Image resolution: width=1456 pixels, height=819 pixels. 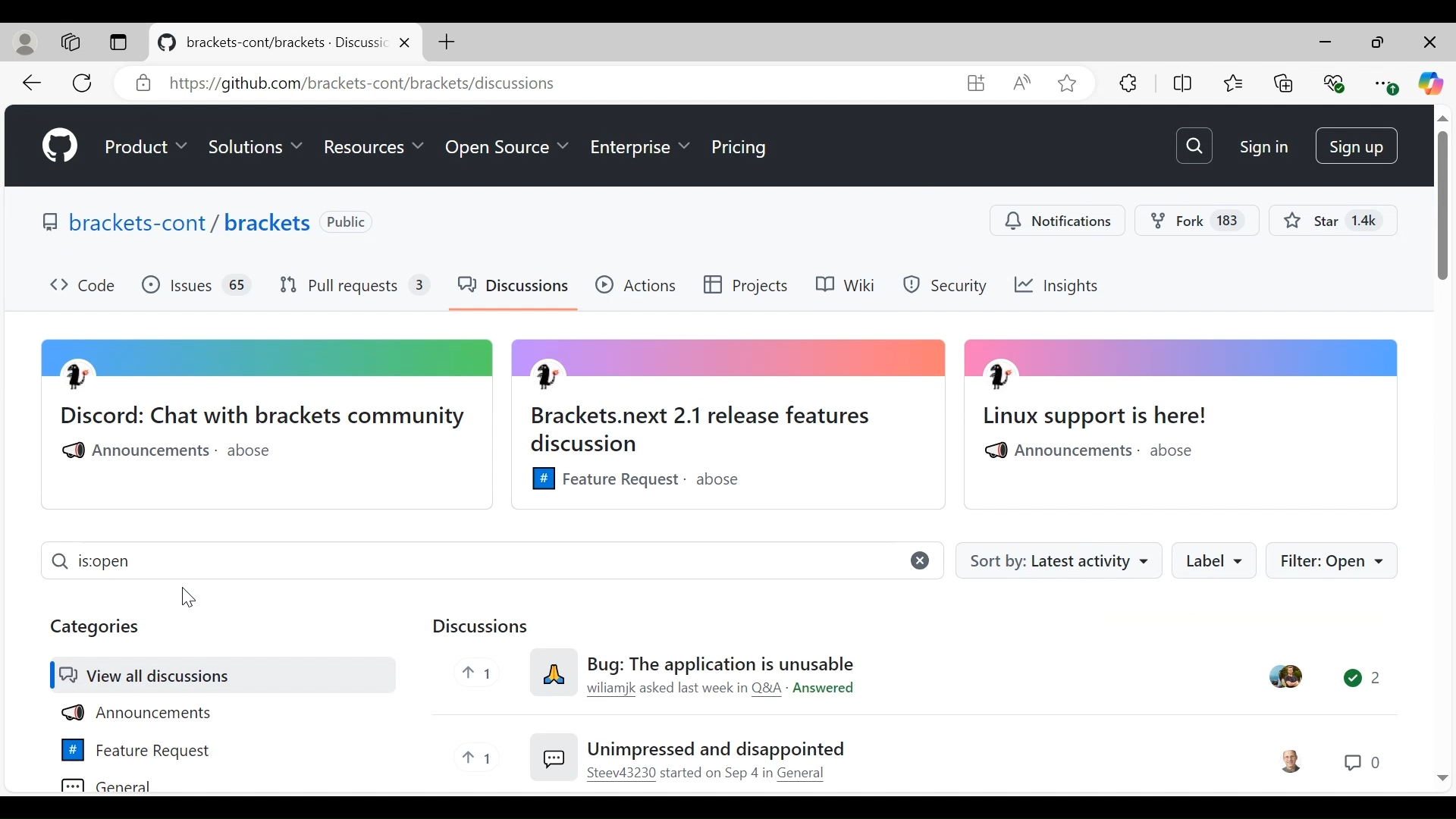 What do you see at coordinates (445, 41) in the screenshot?
I see `Add New Tab` at bounding box center [445, 41].